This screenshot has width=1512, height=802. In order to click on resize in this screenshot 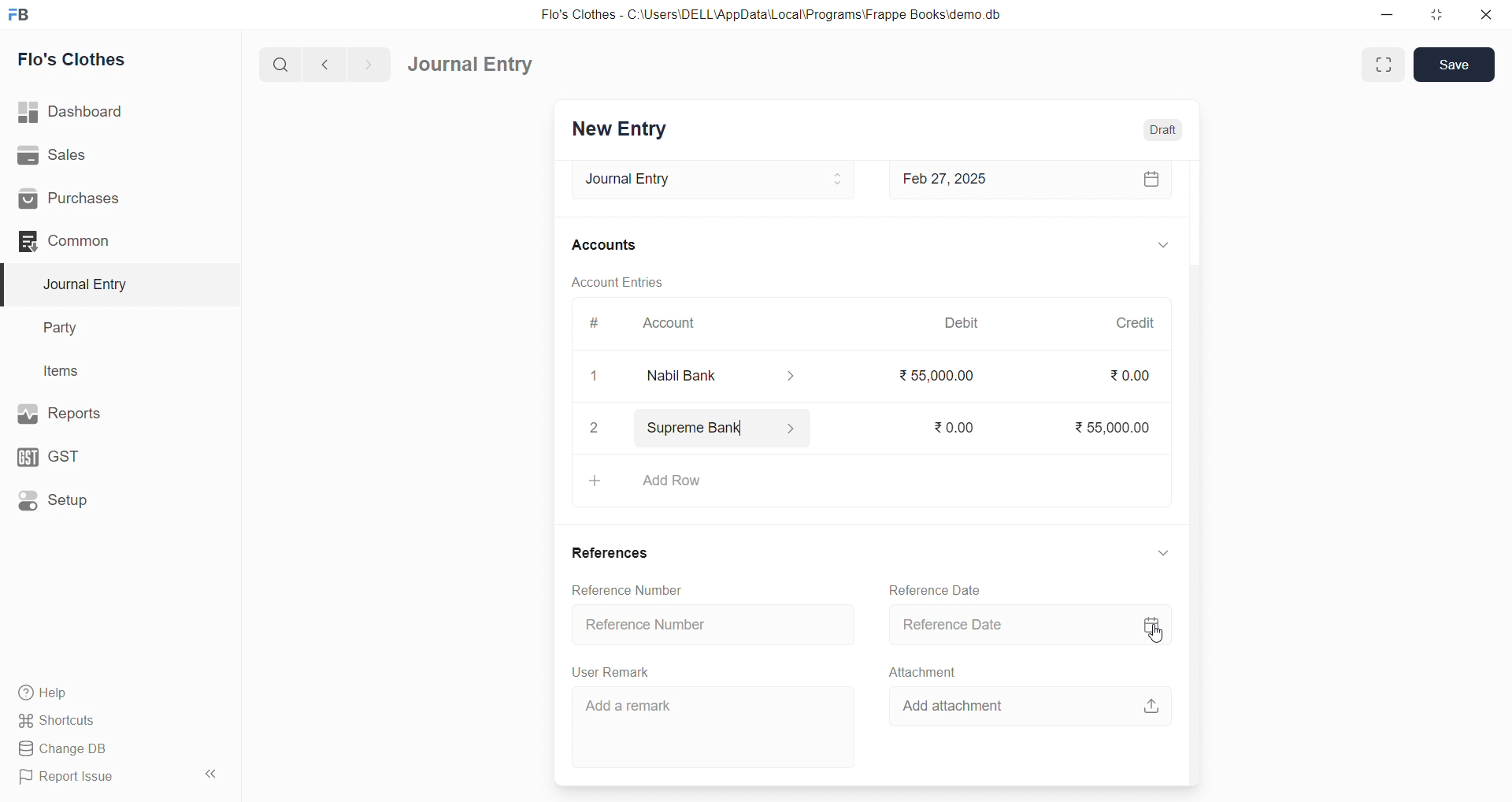, I will do `click(1436, 13)`.